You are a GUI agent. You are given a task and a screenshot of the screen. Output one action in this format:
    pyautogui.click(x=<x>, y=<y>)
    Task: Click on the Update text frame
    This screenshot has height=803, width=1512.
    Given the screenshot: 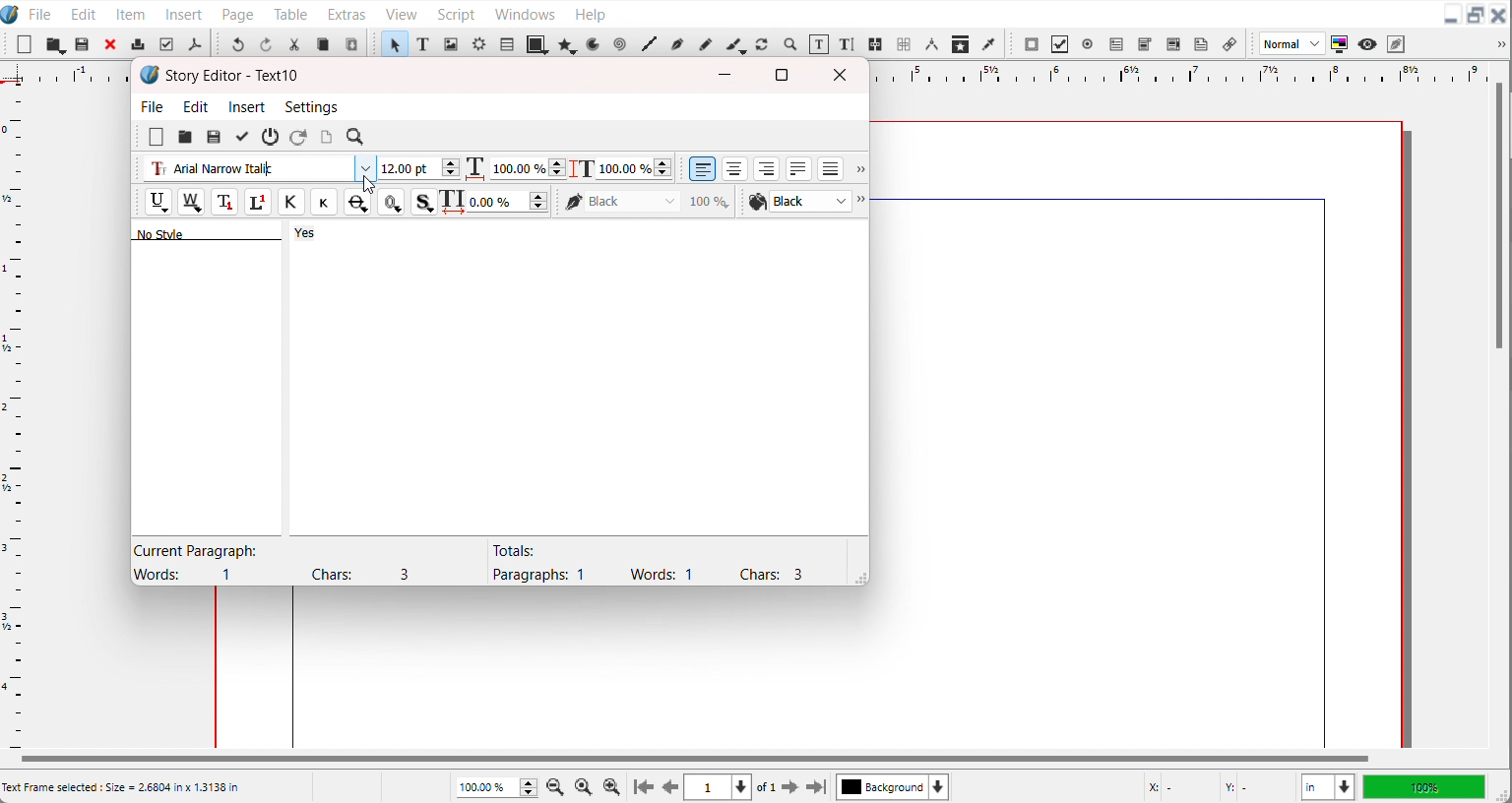 What is the action you would take?
    pyautogui.click(x=326, y=137)
    